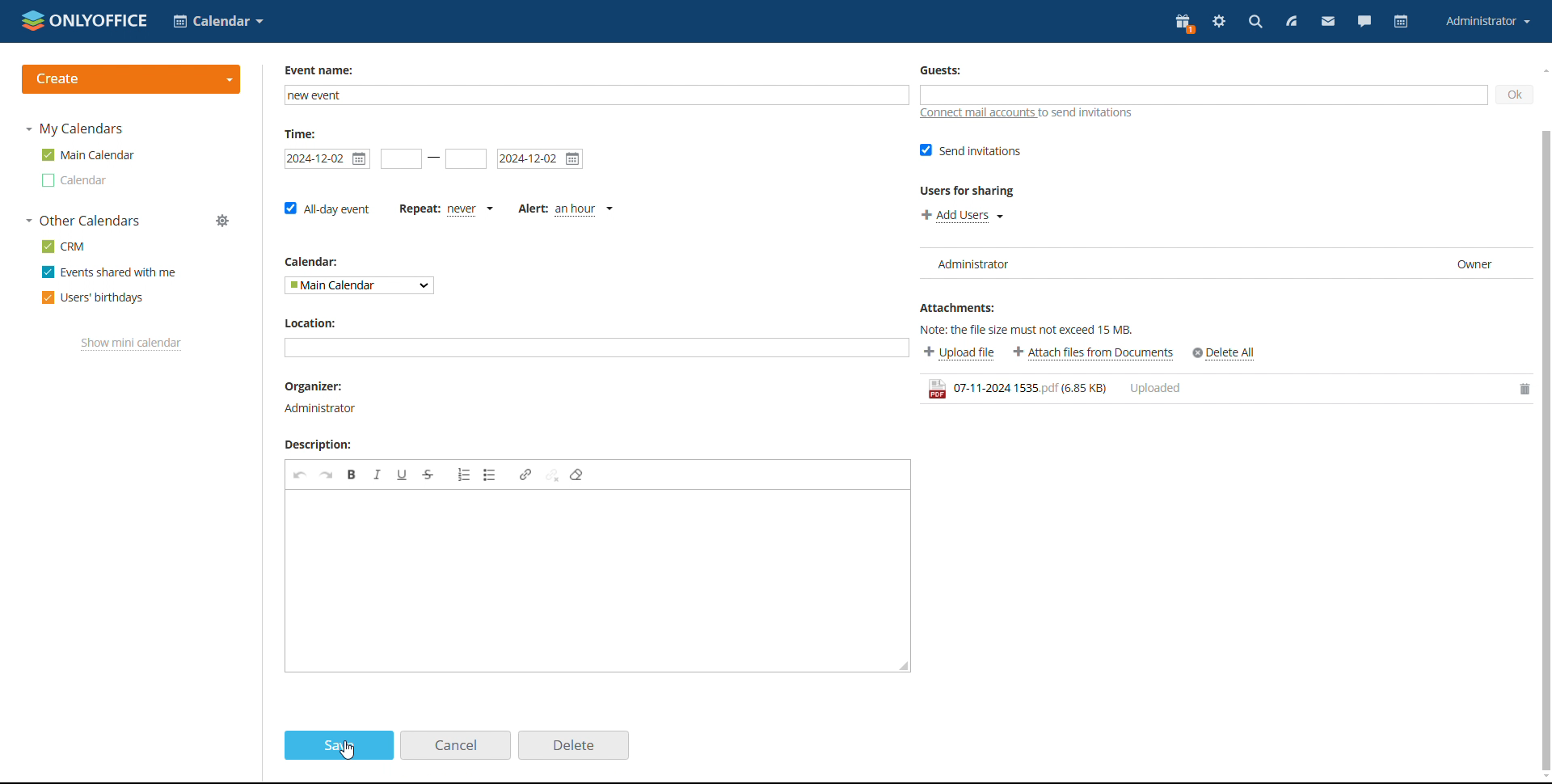  What do you see at coordinates (1520, 390) in the screenshot?
I see `delete` at bounding box center [1520, 390].